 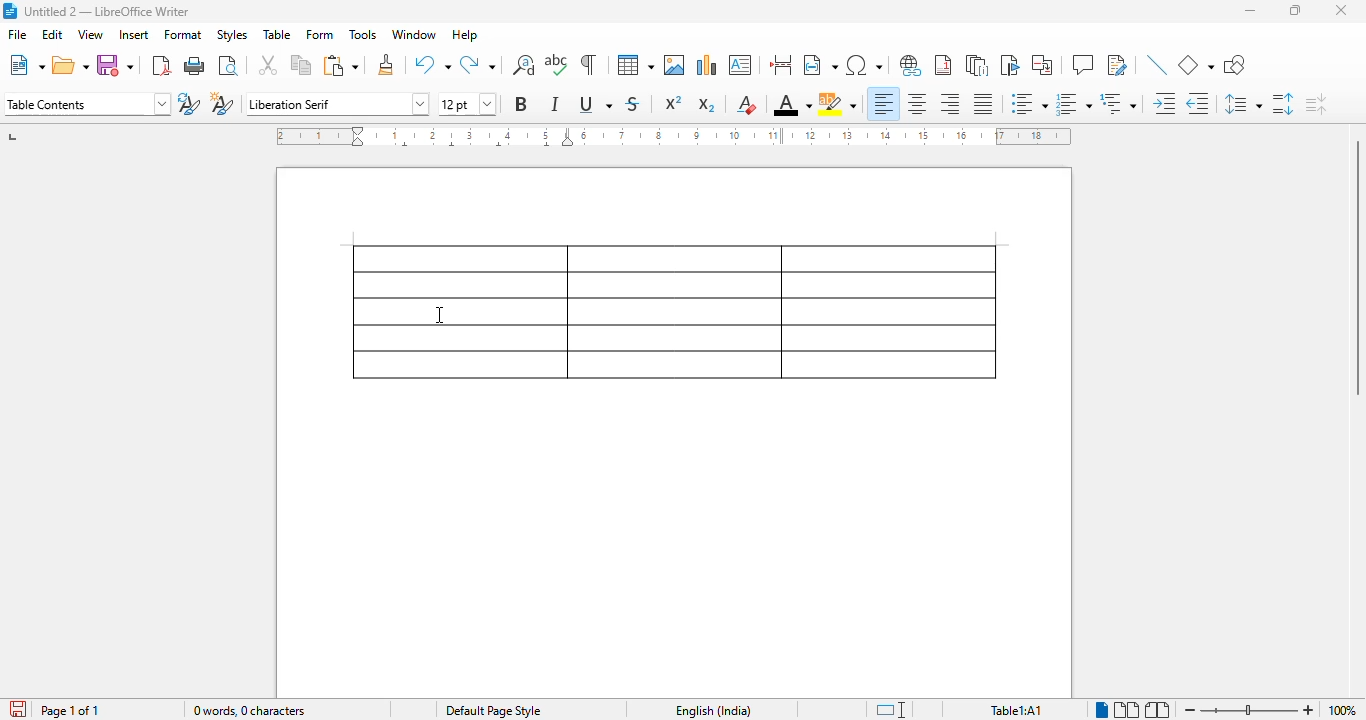 I want to click on toggle ordered list, so click(x=1072, y=103).